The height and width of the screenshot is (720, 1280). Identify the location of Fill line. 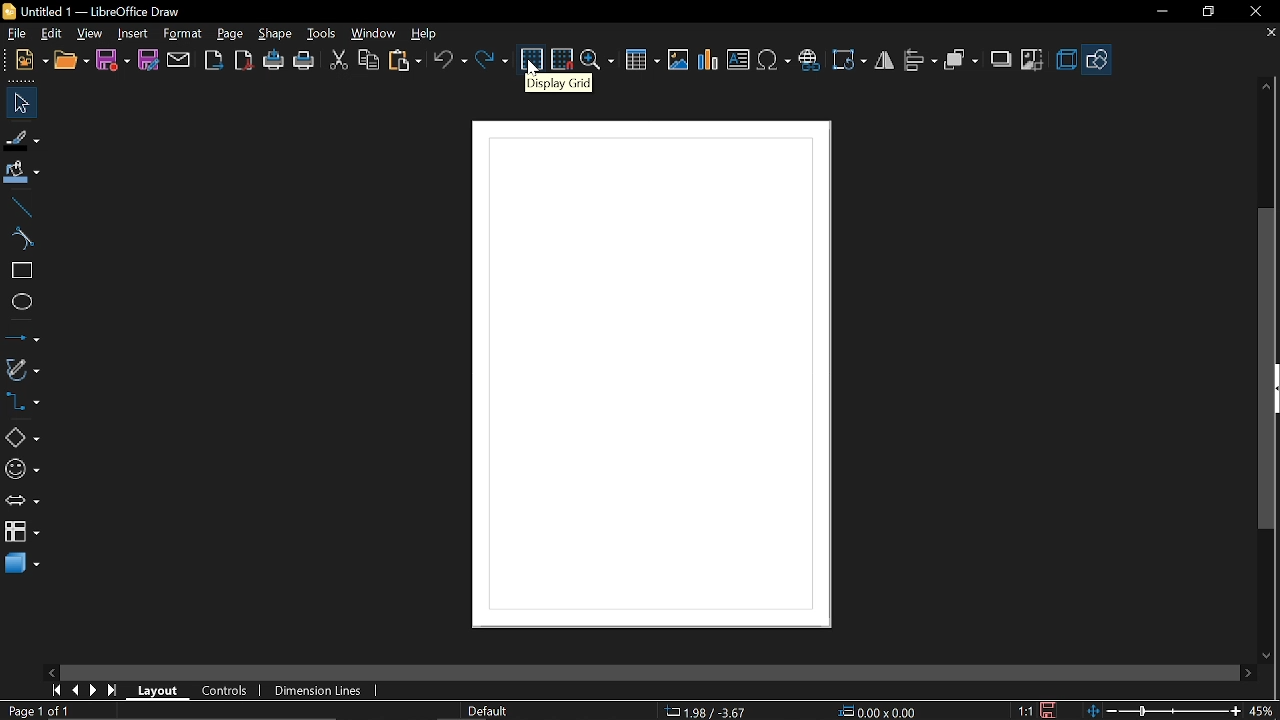
(22, 139).